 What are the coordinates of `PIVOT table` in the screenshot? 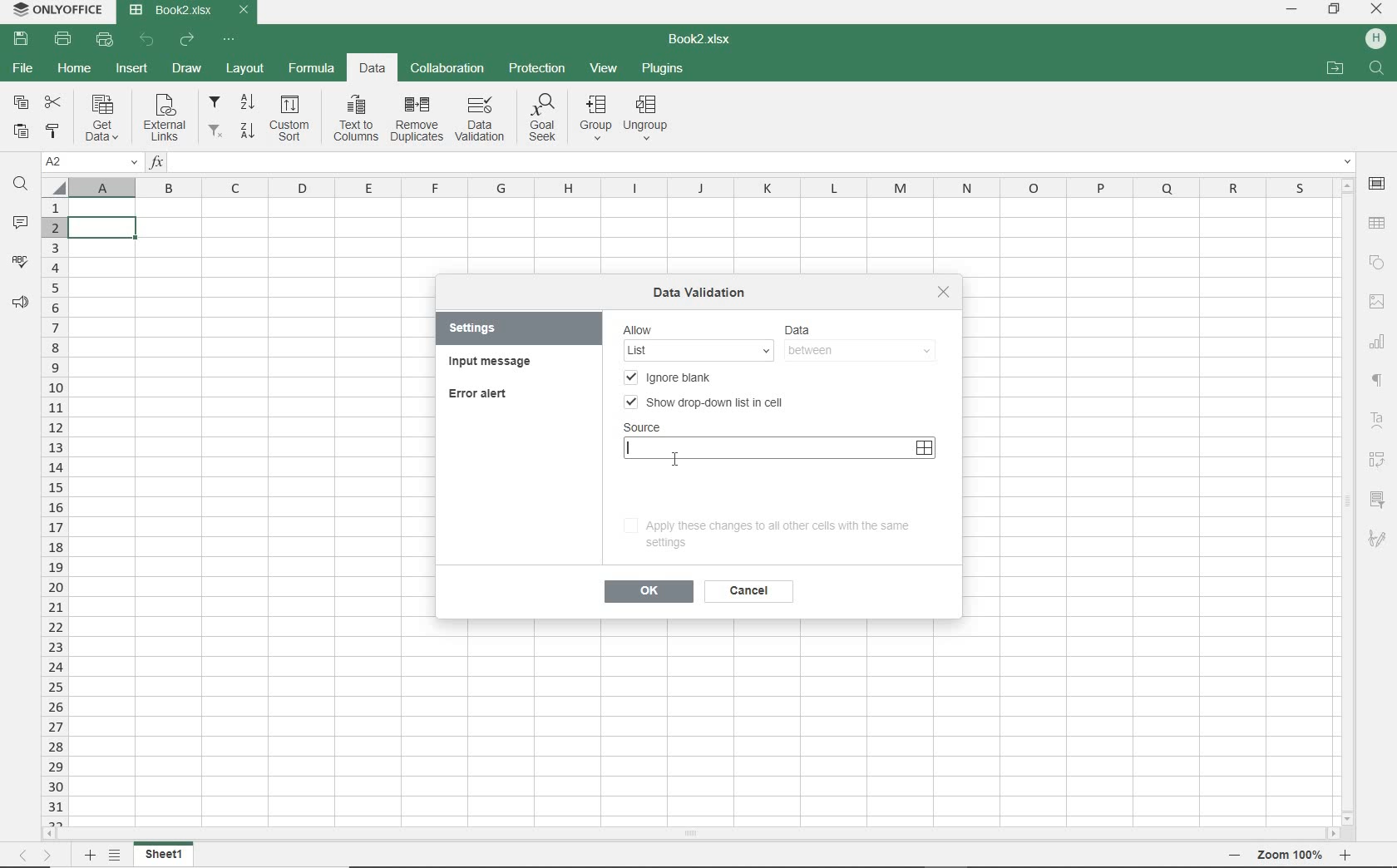 It's located at (1377, 460).